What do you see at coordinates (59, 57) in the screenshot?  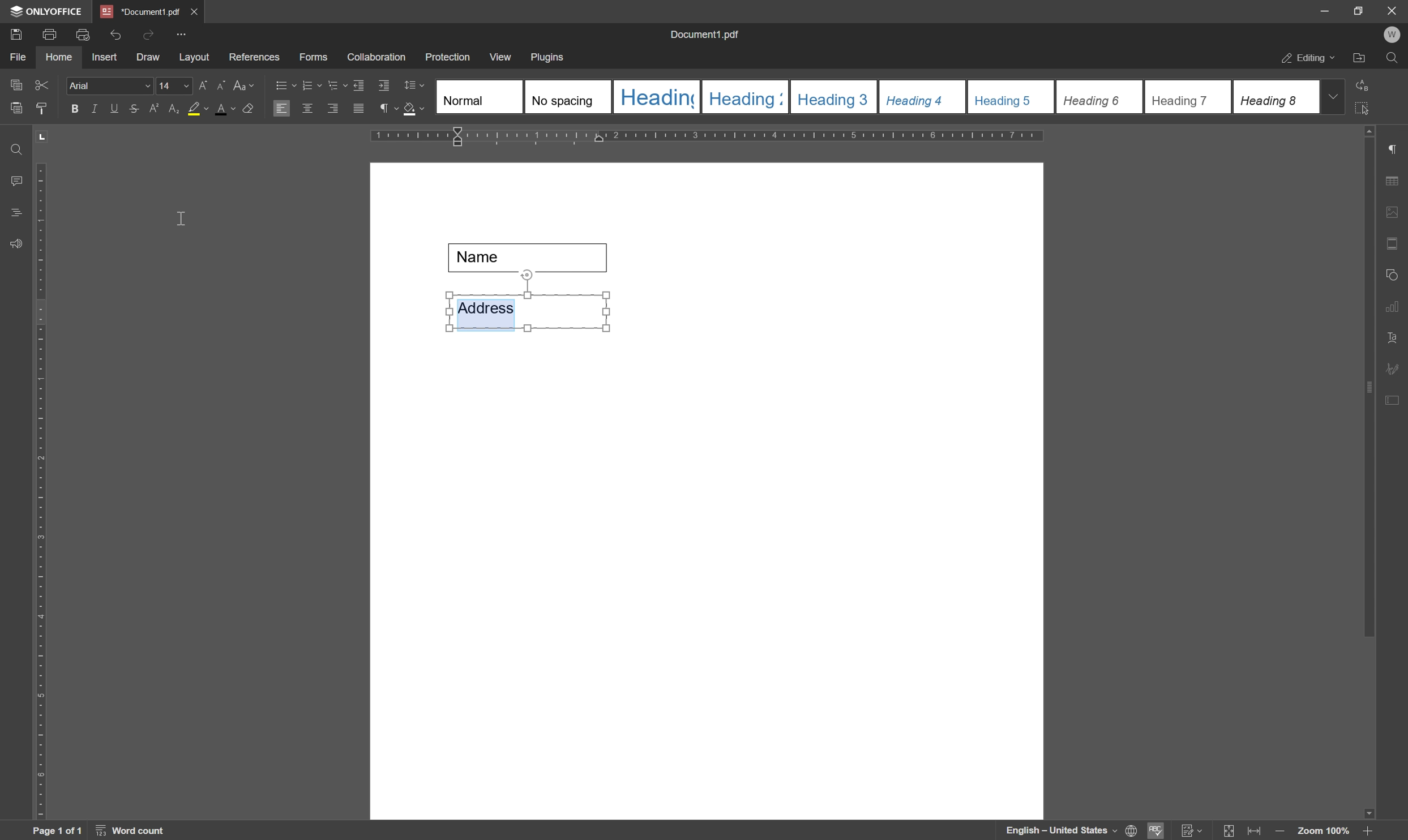 I see `home` at bounding box center [59, 57].